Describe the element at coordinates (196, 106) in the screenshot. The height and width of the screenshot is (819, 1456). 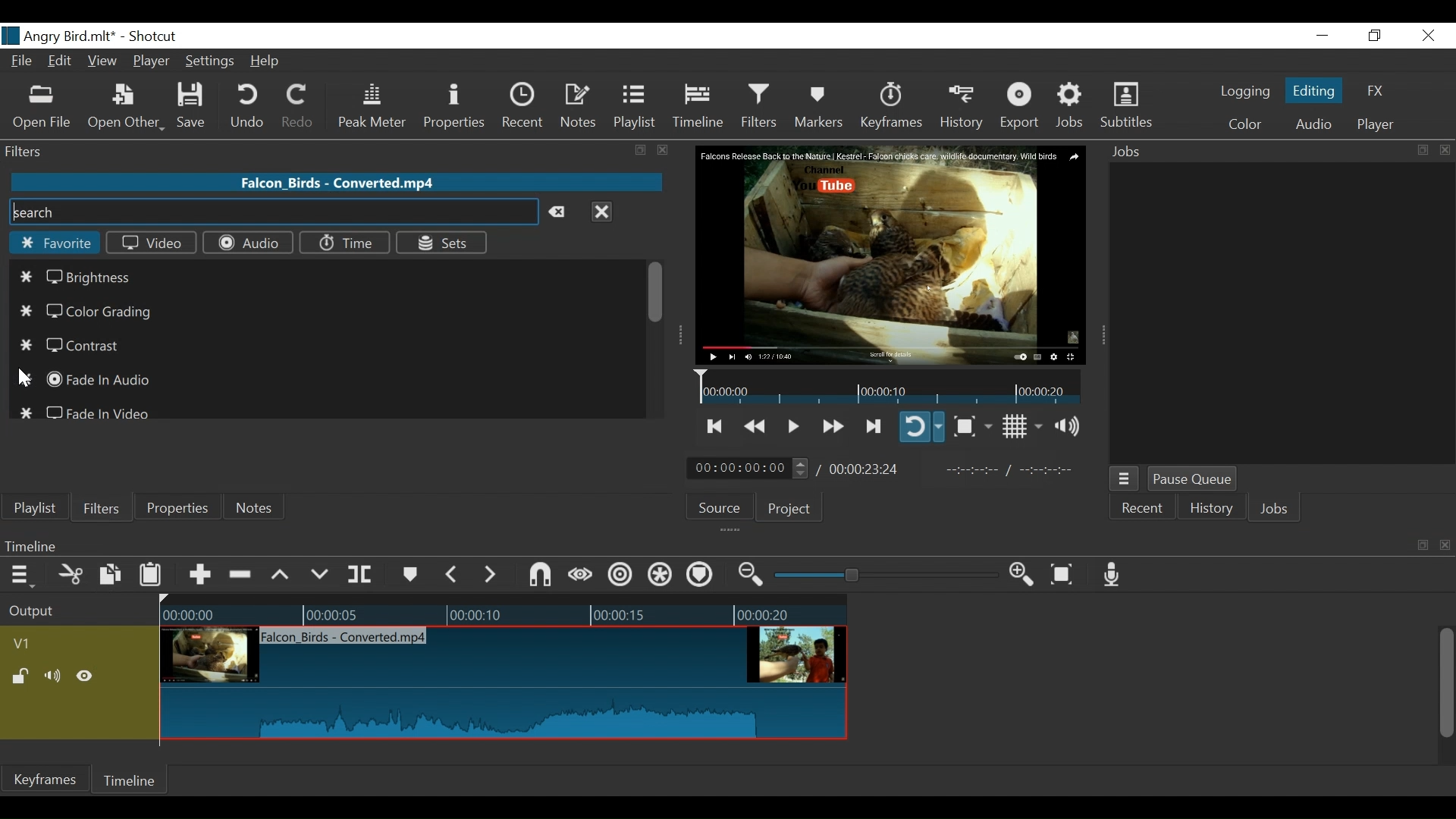
I see `Save` at that location.